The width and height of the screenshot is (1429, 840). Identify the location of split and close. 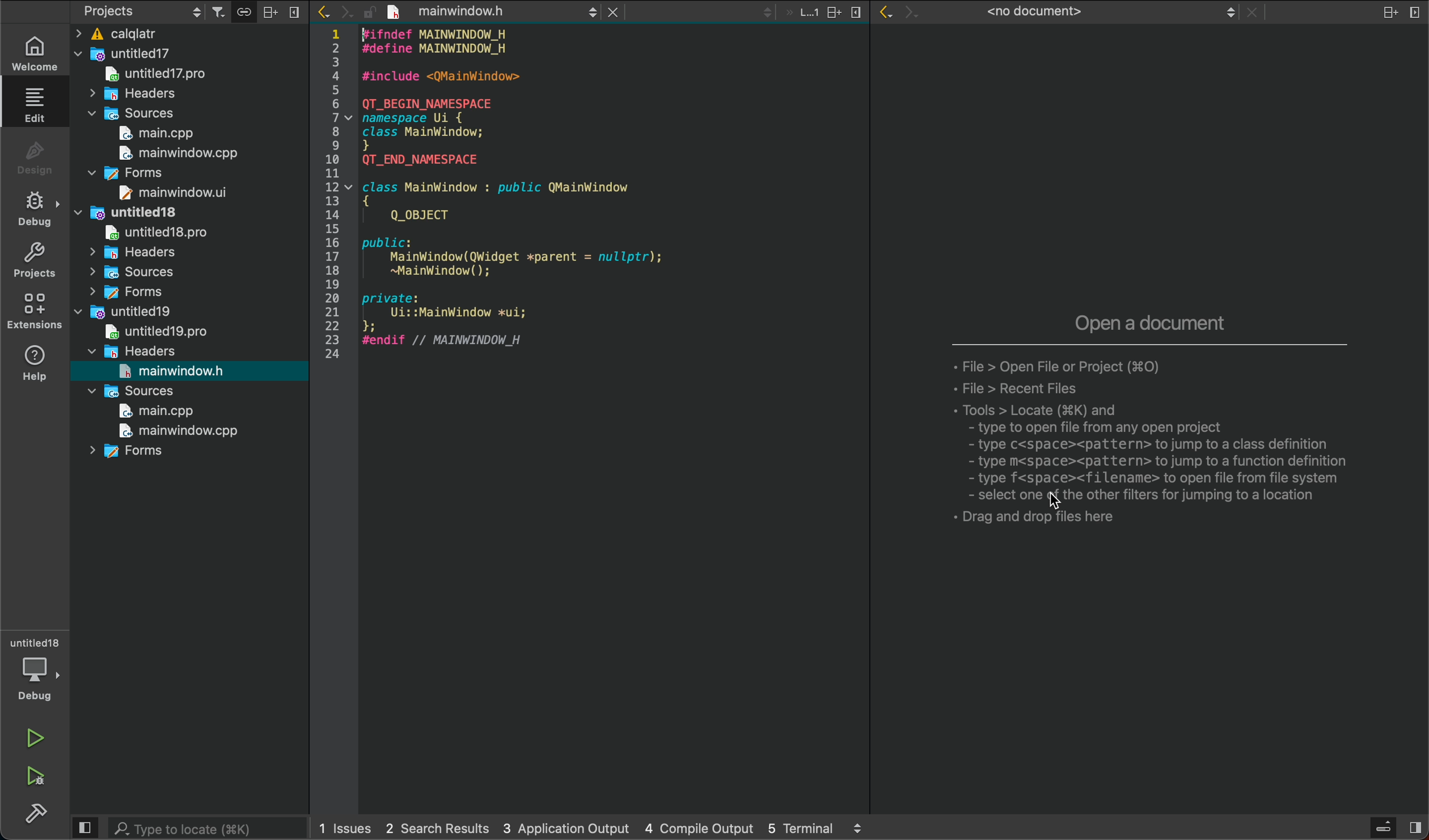
(1398, 15).